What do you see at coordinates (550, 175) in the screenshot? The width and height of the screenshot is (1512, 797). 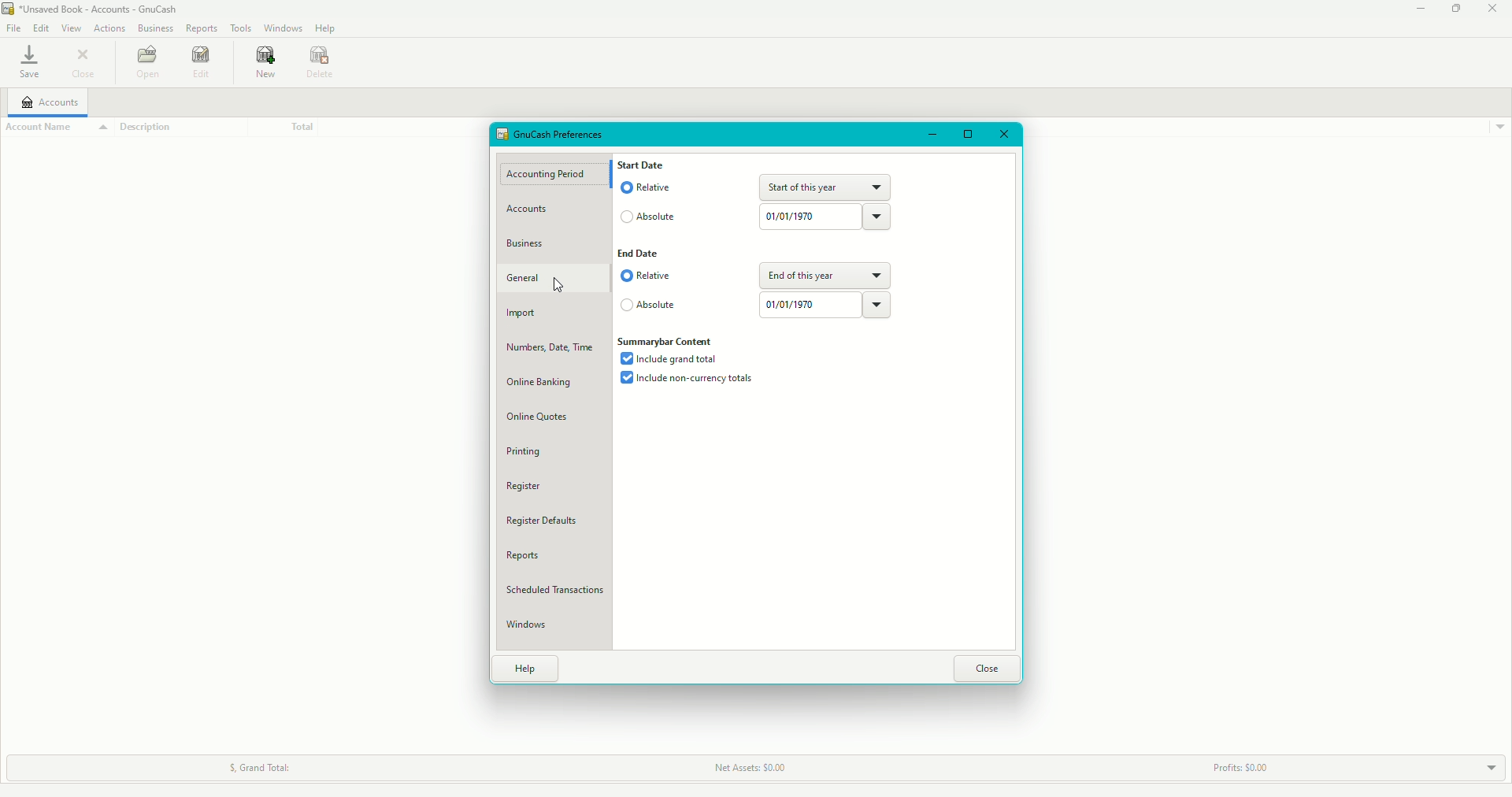 I see `Accounting Period` at bounding box center [550, 175].